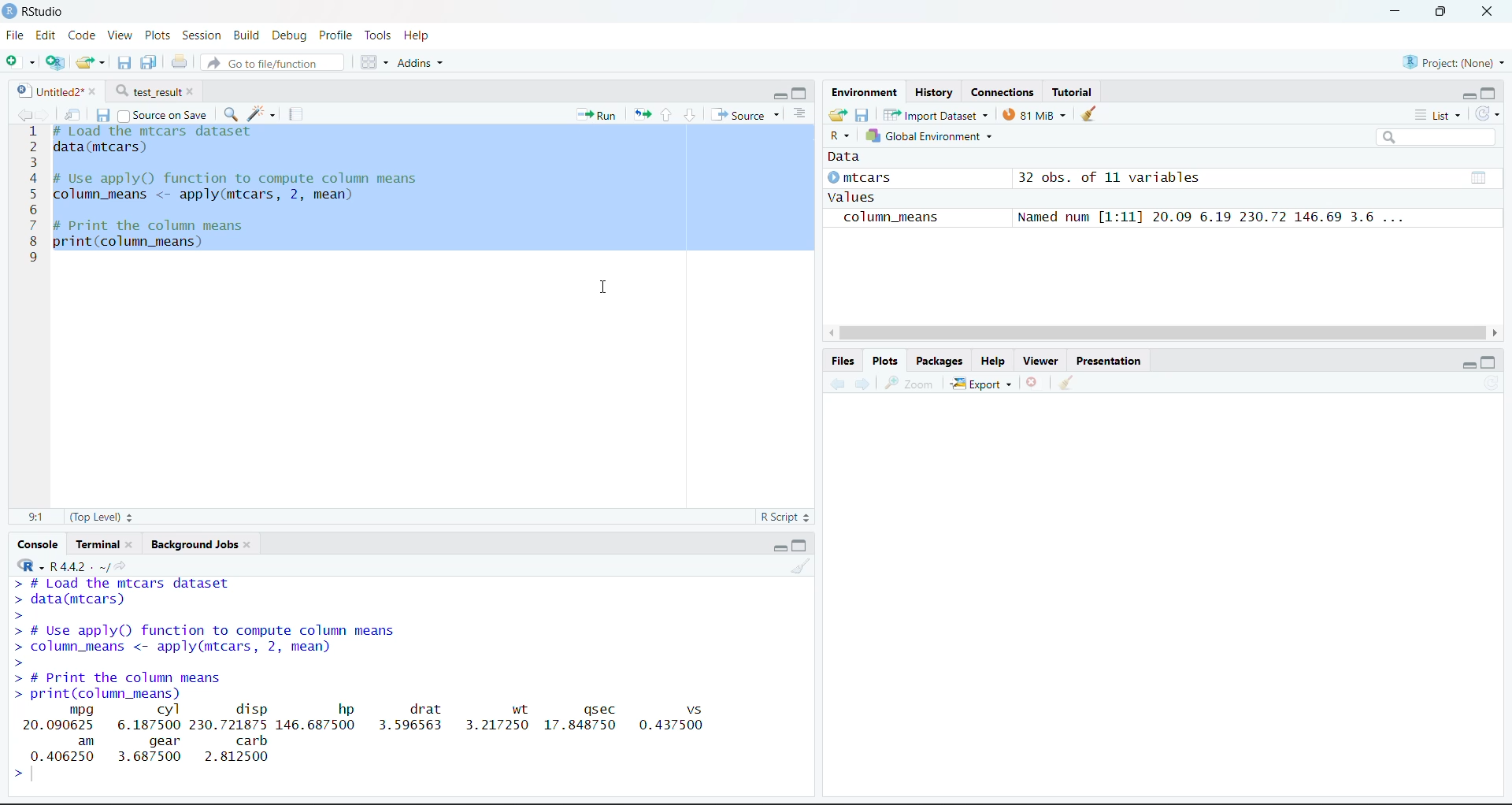 The height and width of the screenshot is (805, 1512). Describe the element at coordinates (1440, 139) in the screenshot. I see `Search bar` at that location.